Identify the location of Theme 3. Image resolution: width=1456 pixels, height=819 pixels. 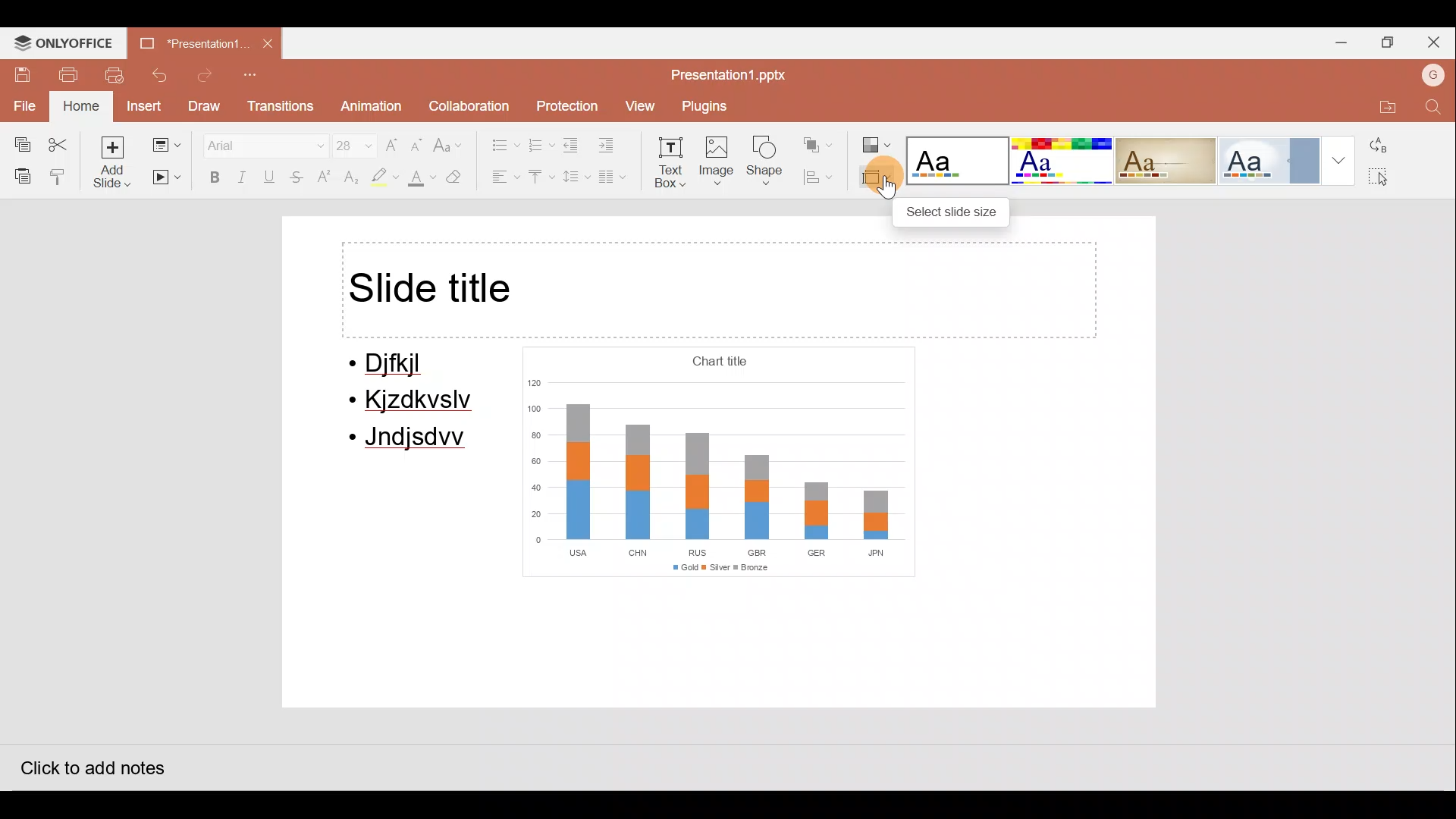
(1175, 160).